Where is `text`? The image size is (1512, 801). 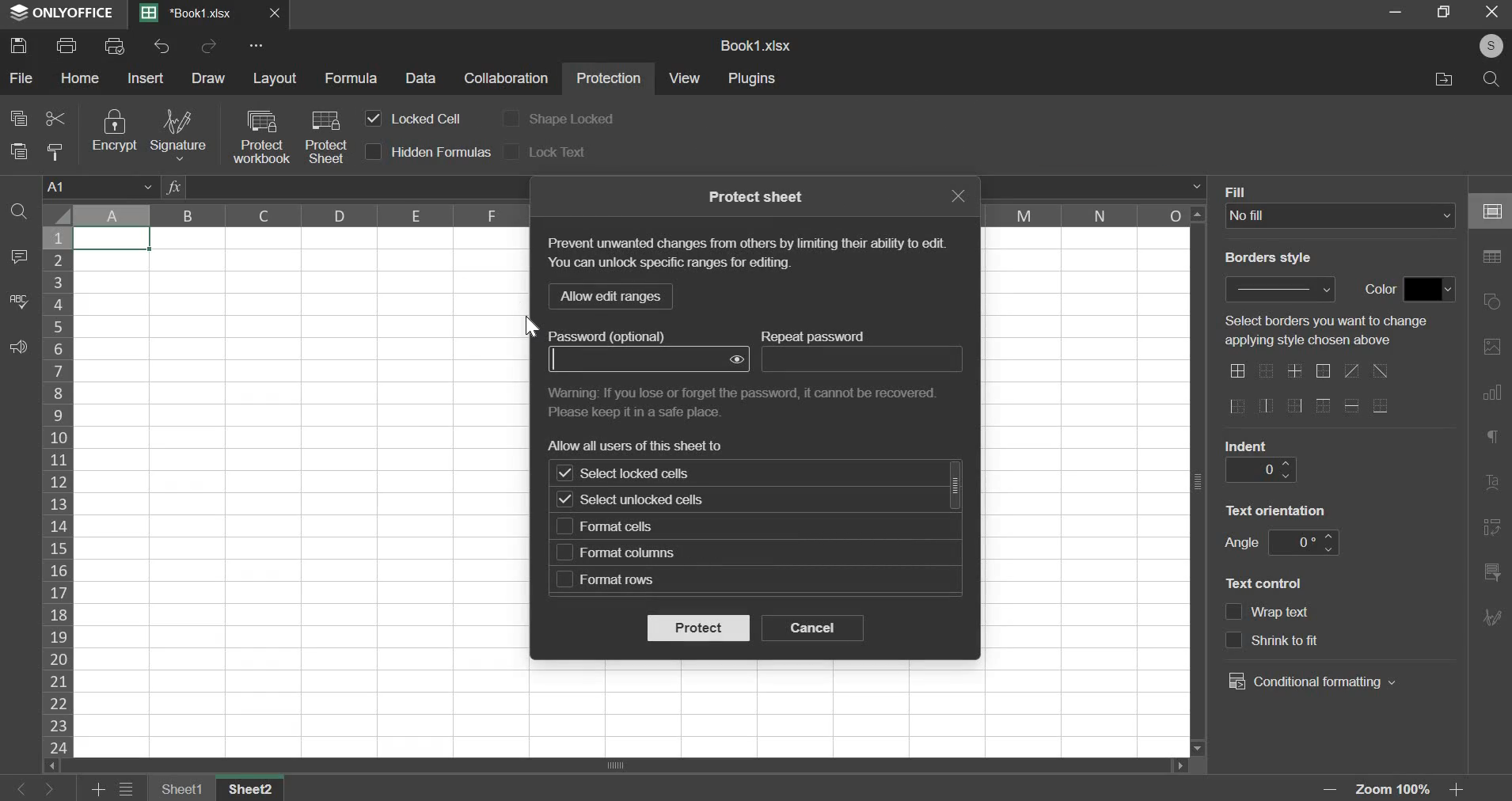
text is located at coordinates (639, 445).